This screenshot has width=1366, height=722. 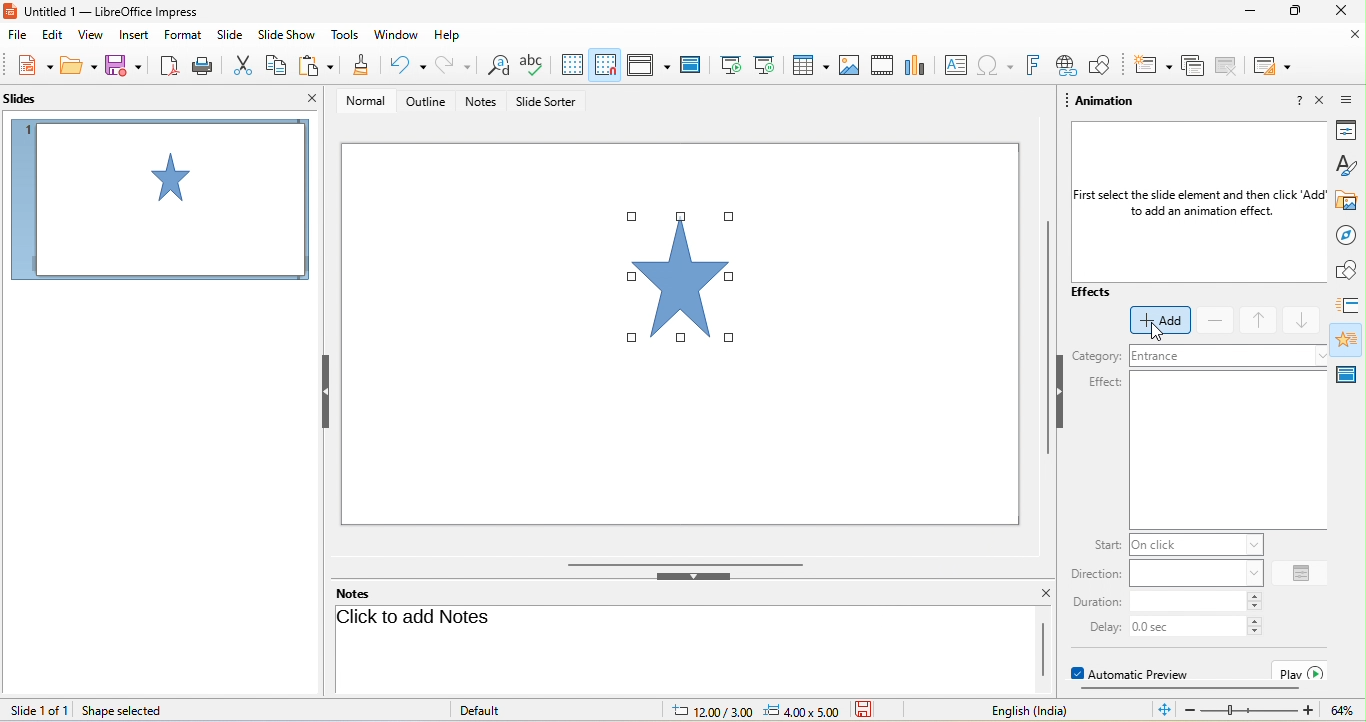 I want to click on save, so click(x=123, y=66).